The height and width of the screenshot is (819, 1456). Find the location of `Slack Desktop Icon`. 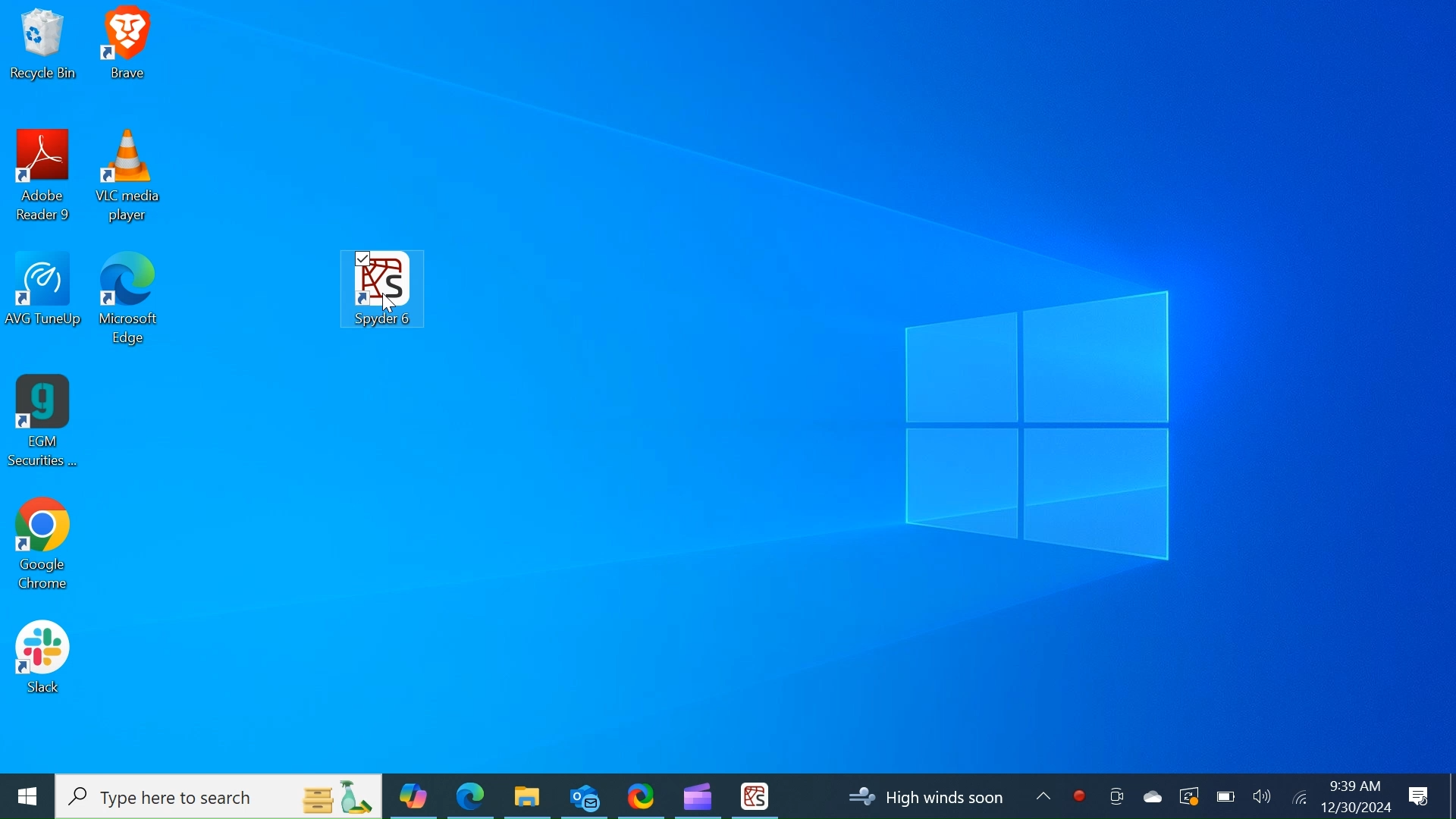

Slack Desktop Icon is located at coordinates (42, 660).